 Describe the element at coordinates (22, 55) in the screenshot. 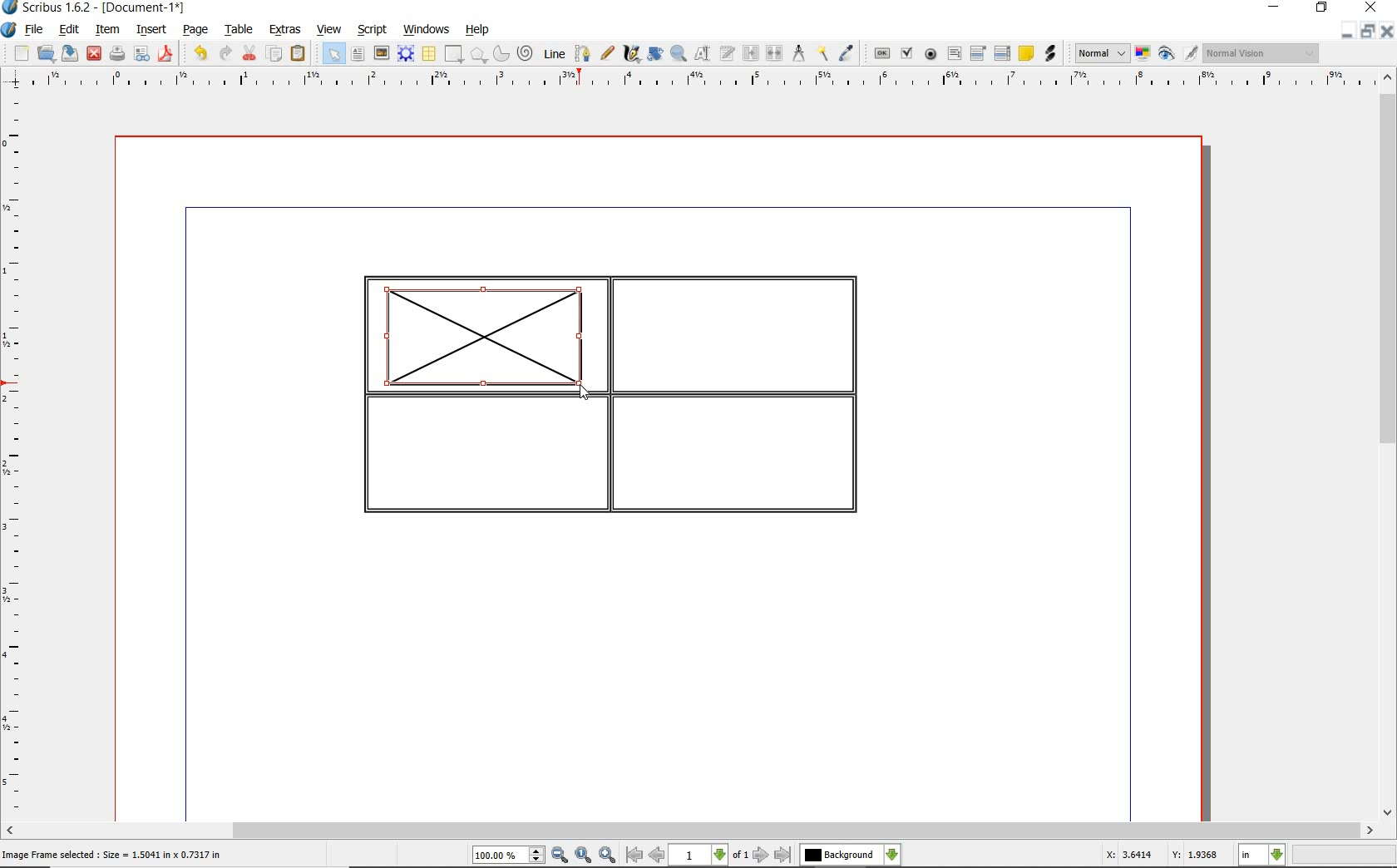

I see `new` at that location.